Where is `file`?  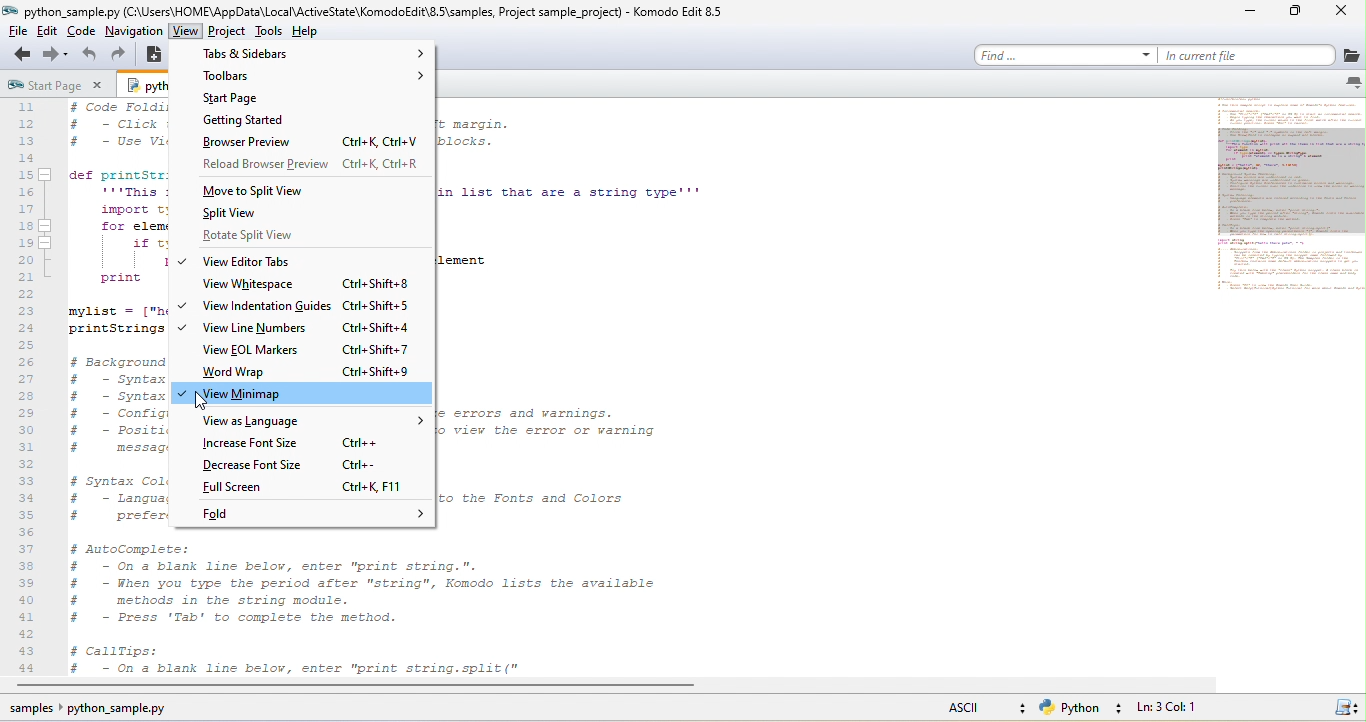 file is located at coordinates (16, 33).